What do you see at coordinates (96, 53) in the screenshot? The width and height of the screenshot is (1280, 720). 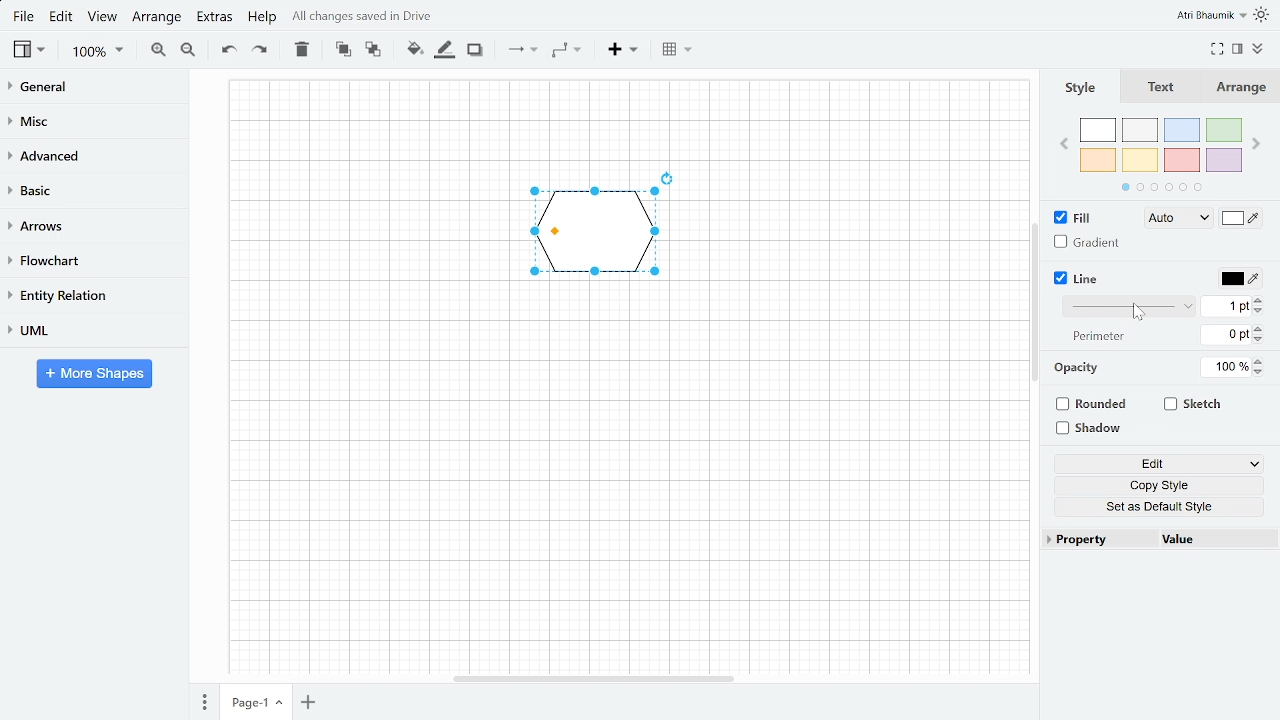 I see `Zoom` at bounding box center [96, 53].